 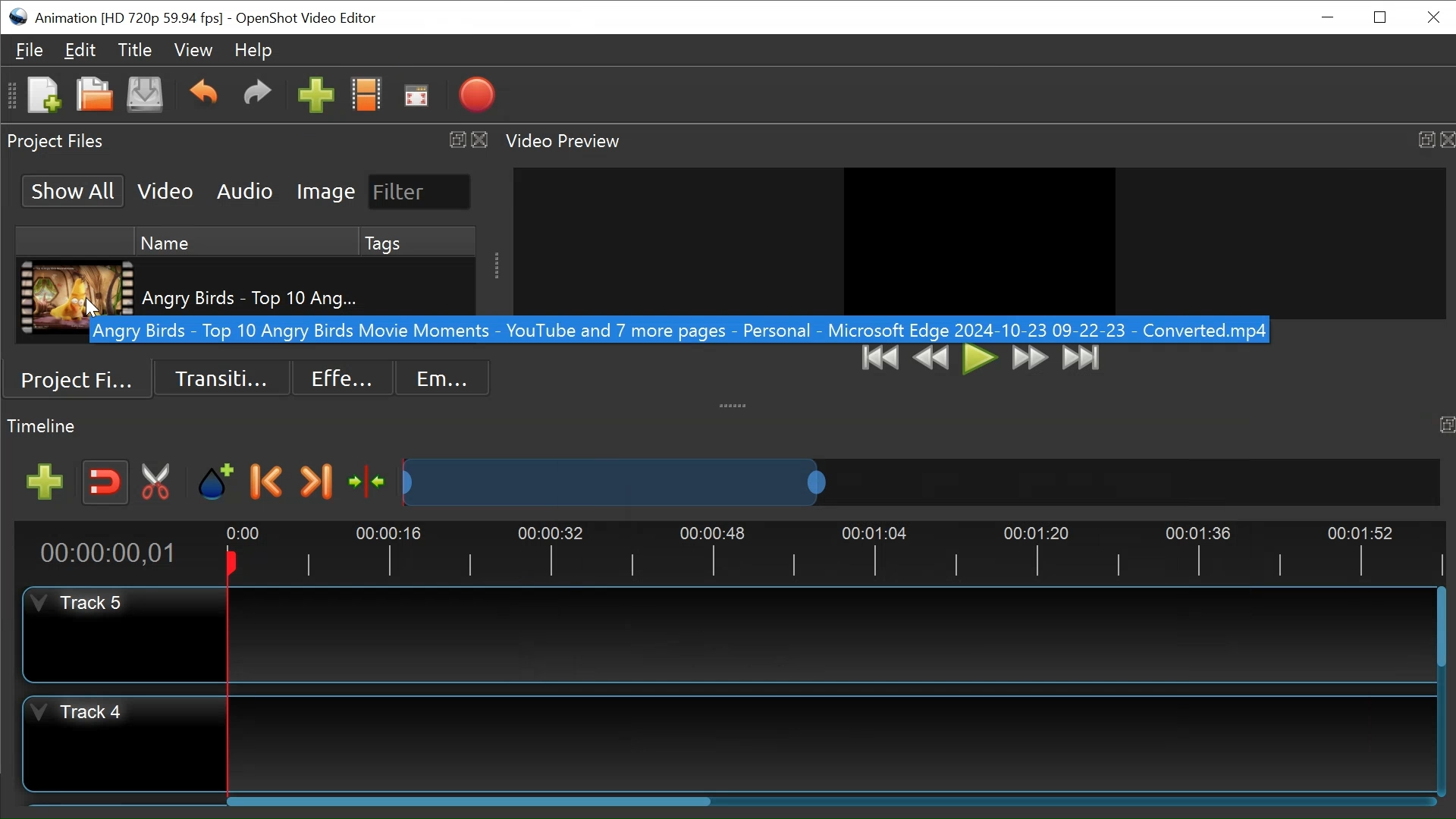 What do you see at coordinates (42, 94) in the screenshot?
I see `New Project` at bounding box center [42, 94].